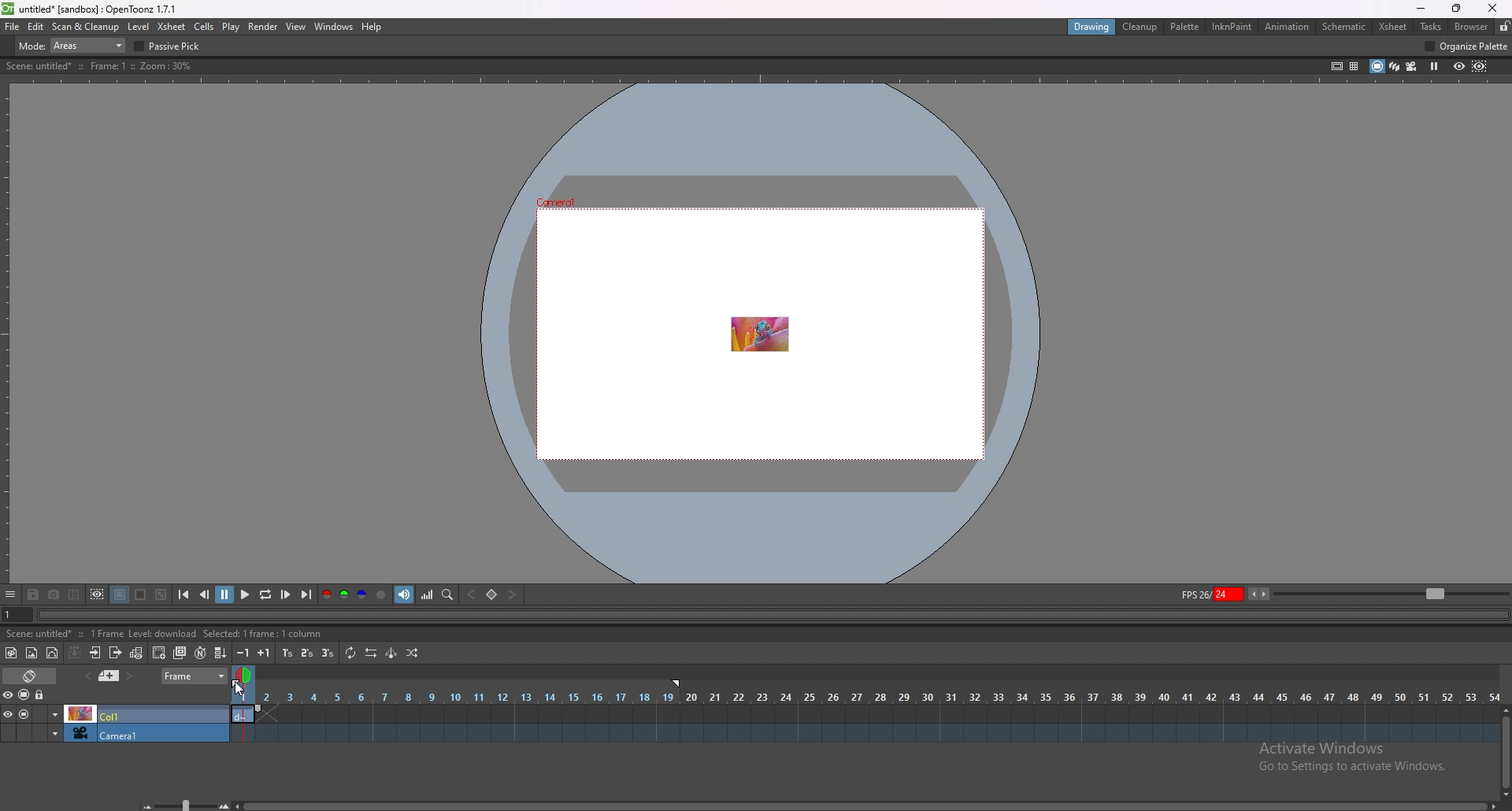 The height and width of the screenshot is (811, 1512). What do you see at coordinates (412, 654) in the screenshot?
I see `random` at bounding box center [412, 654].